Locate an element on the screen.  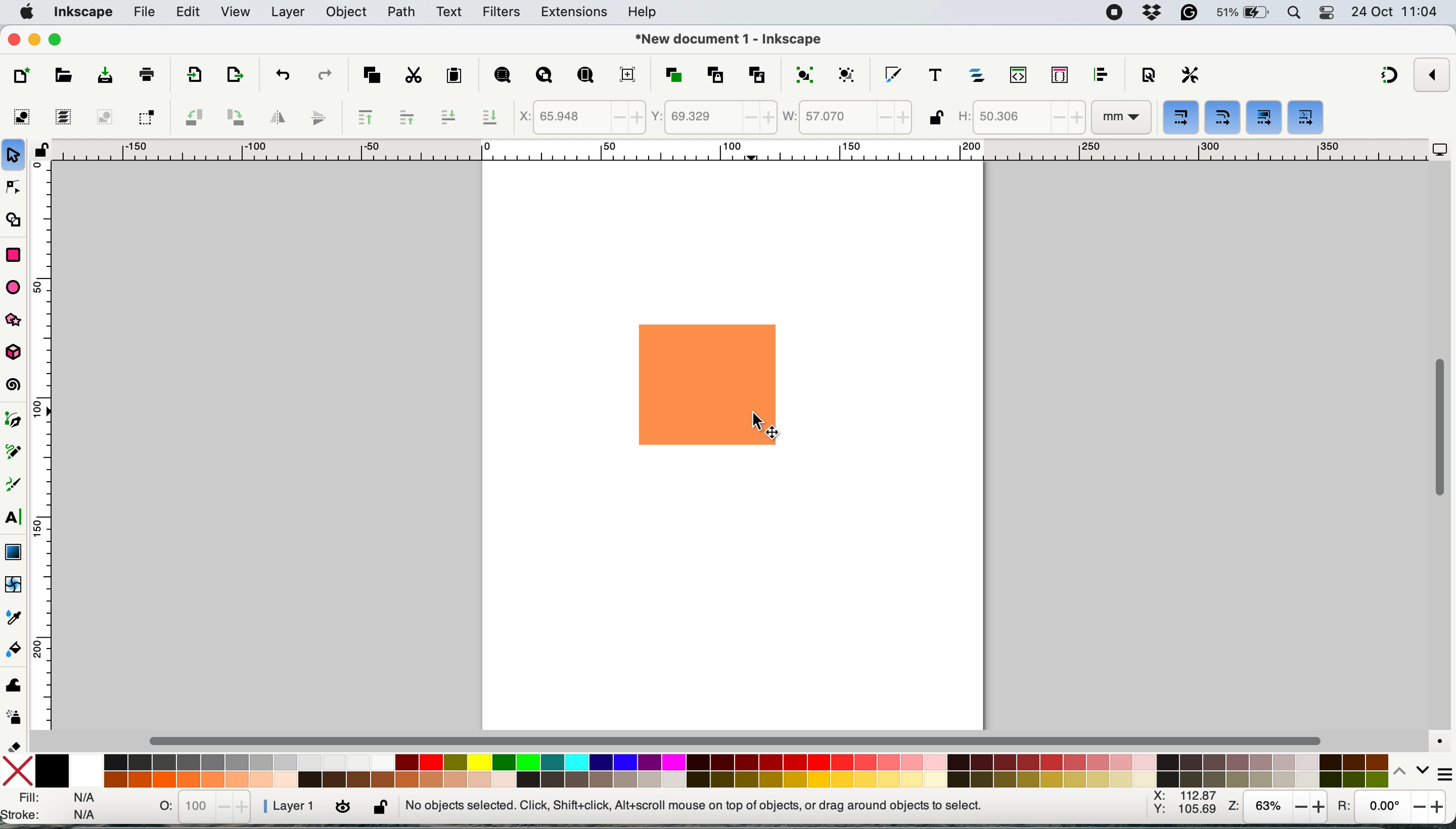
tweak tool is located at coordinates (13, 683).